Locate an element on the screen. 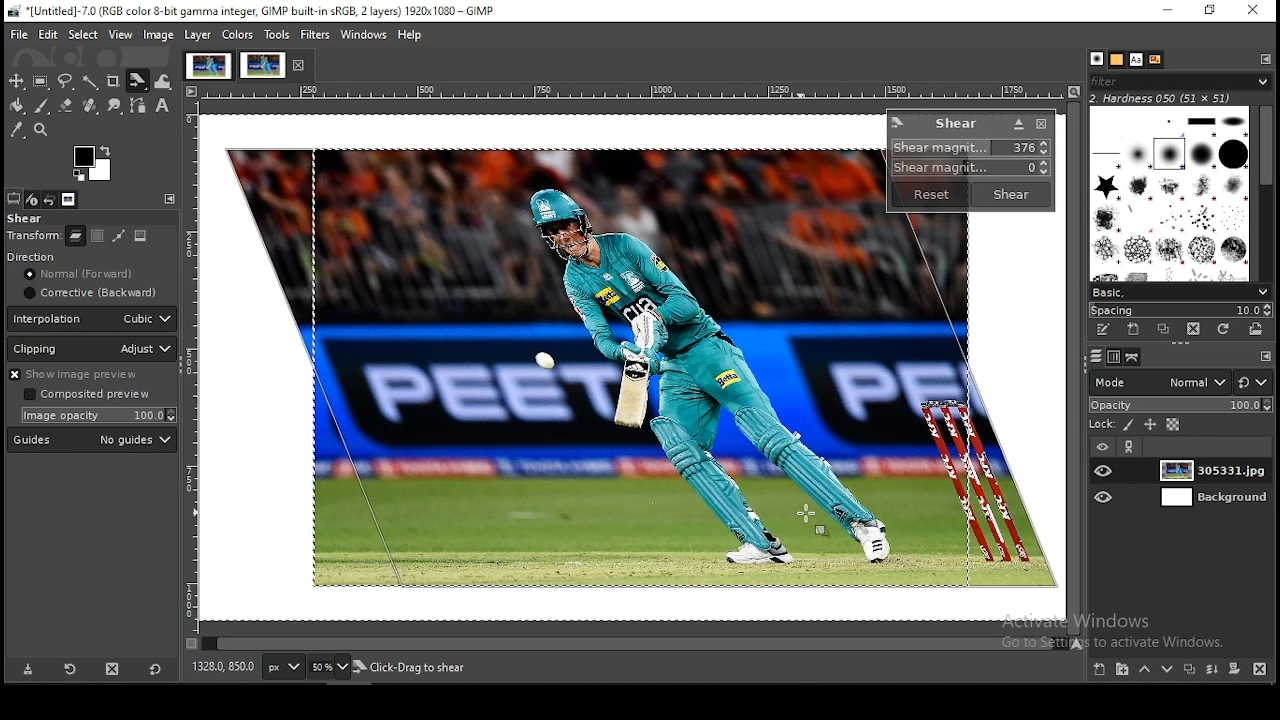 The height and width of the screenshot is (720, 1280). shear magnitude is located at coordinates (973, 148).